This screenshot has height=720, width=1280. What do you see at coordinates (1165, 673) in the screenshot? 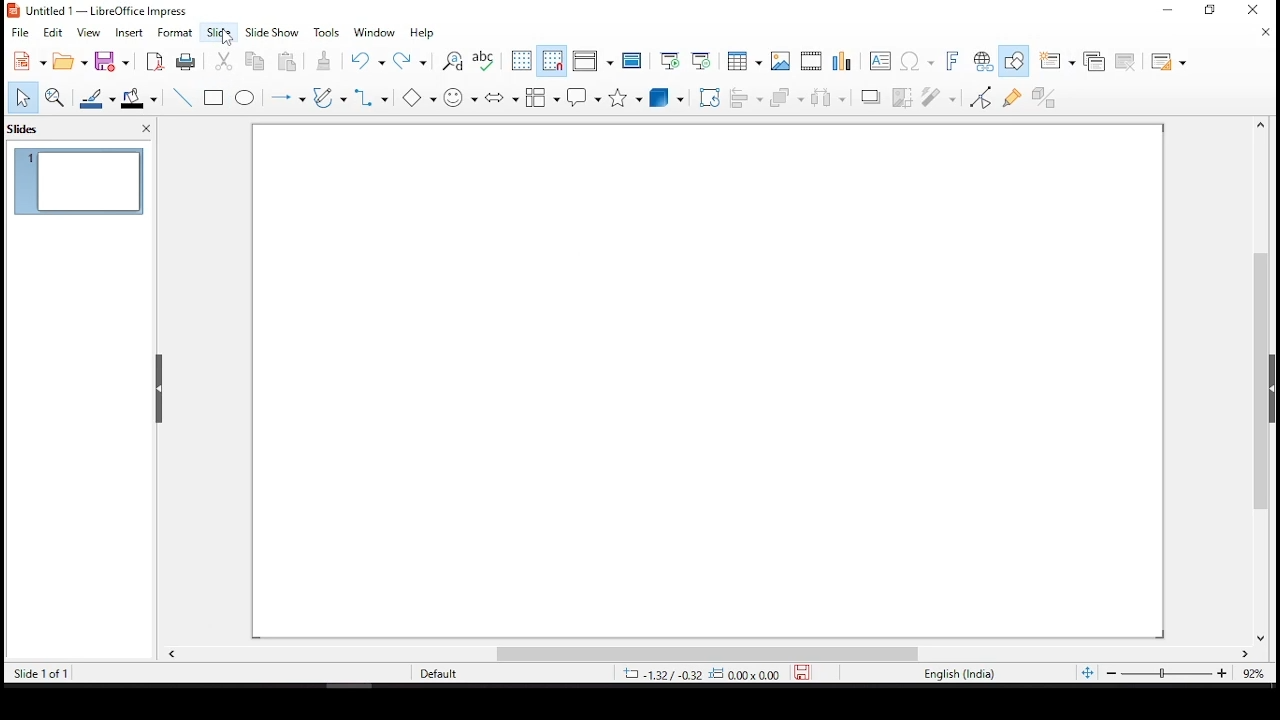
I see `zoom slider` at bounding box center [1165, 673].